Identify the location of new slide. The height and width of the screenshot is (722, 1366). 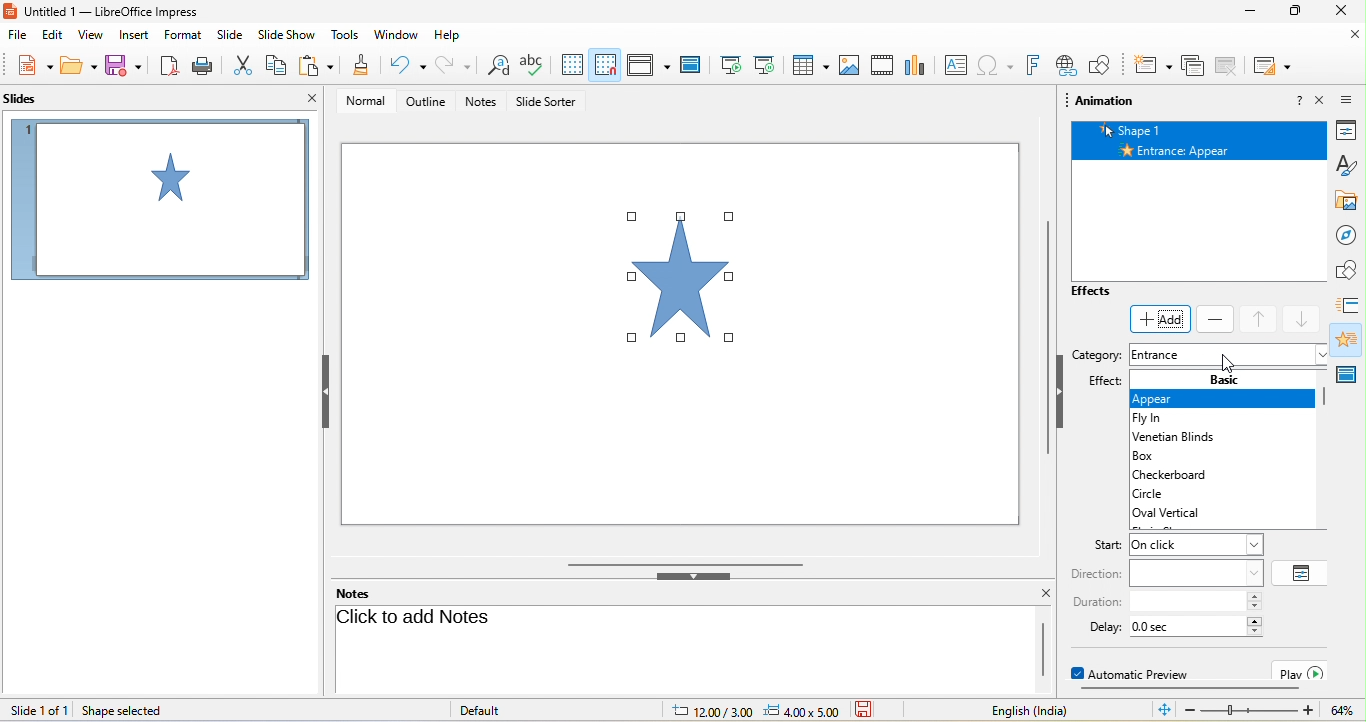
(1153, 67).